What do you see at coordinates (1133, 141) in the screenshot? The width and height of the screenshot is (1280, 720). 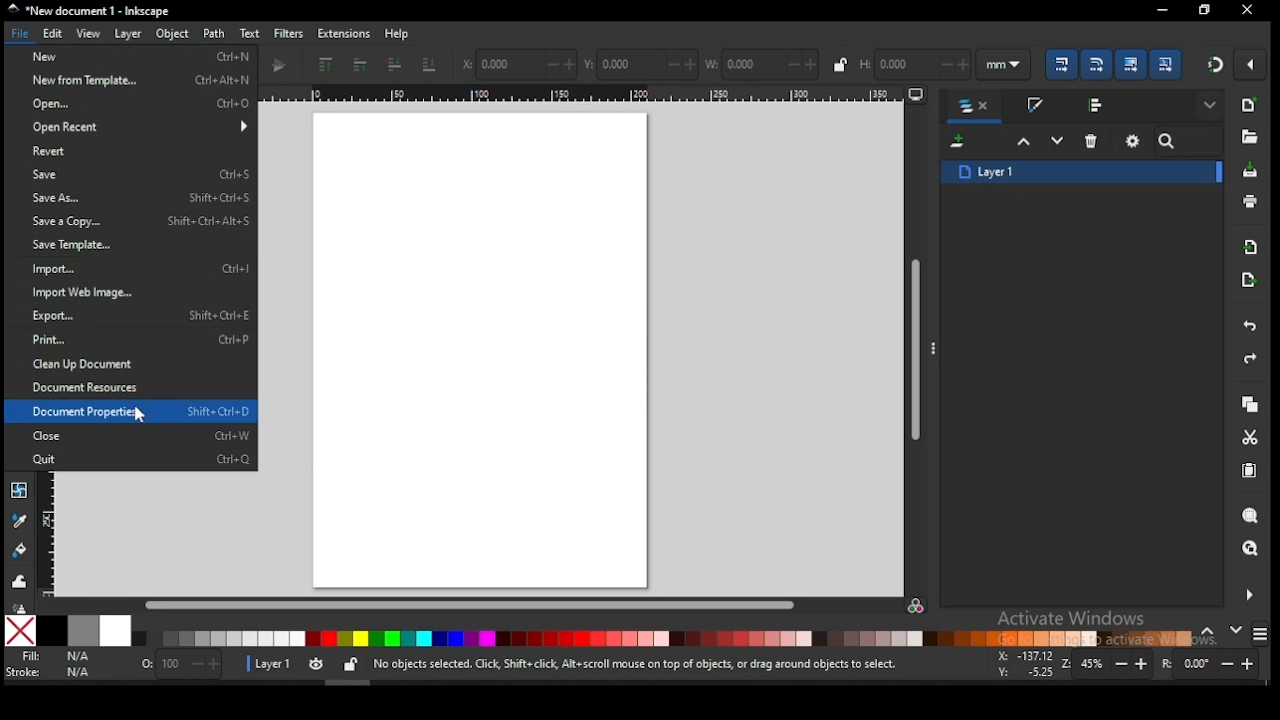 I see `layers and objects dialogue settings` at bounding box center [1133, 141].